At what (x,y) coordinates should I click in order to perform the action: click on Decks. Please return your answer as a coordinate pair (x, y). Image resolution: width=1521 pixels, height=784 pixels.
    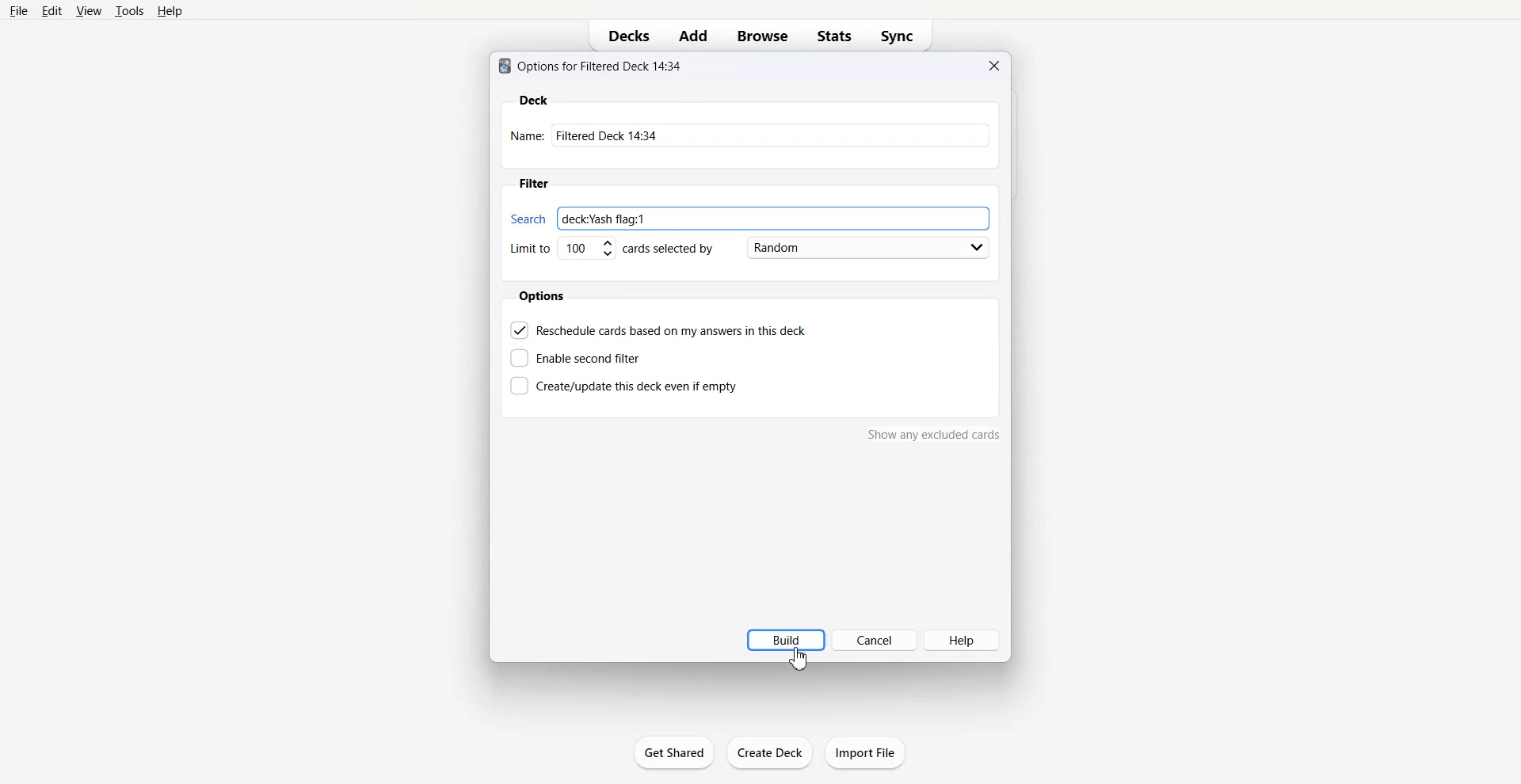
    Looking at the image, I should click on (623, 36).